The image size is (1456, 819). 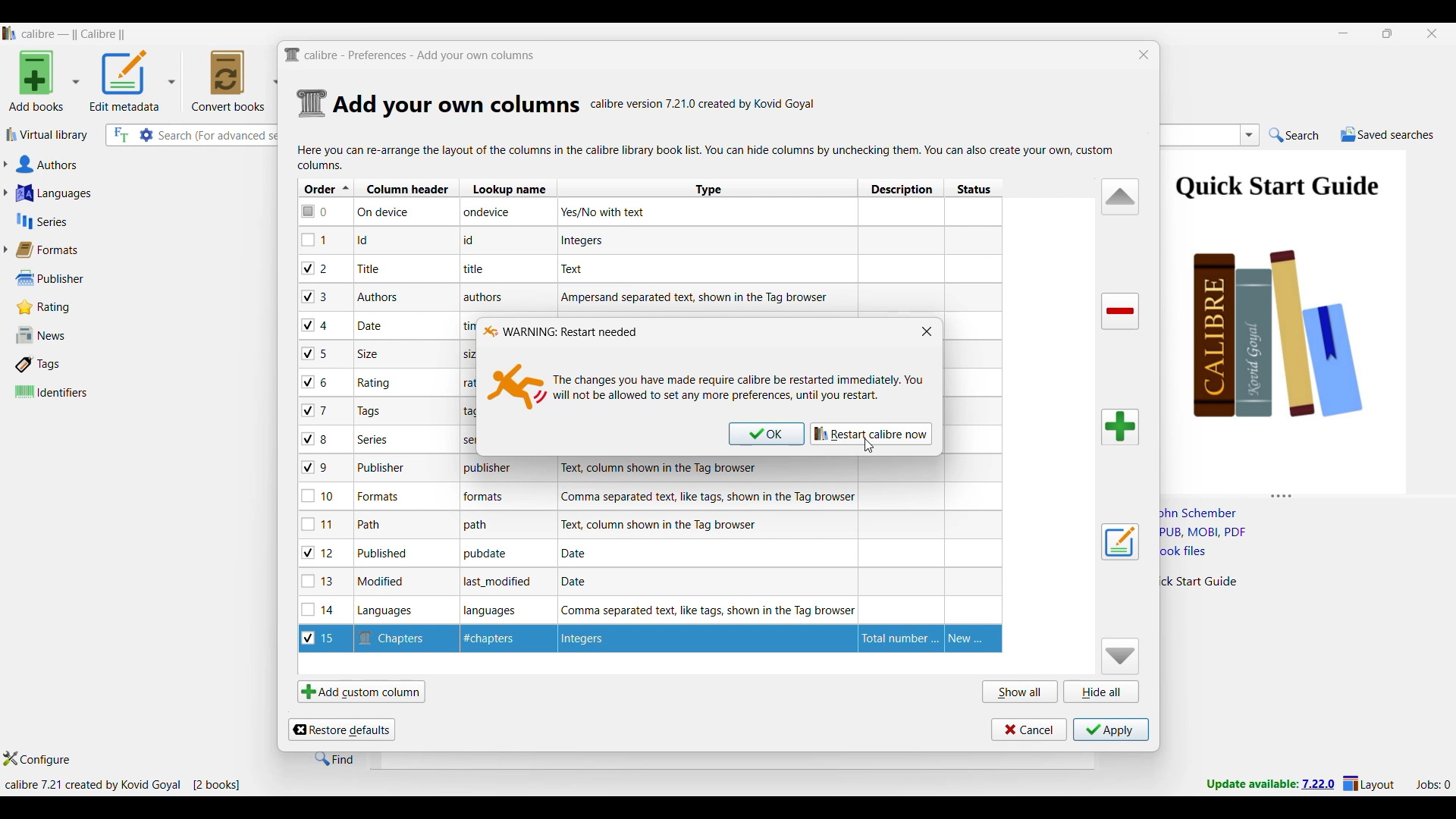 What do you see at coordinates (48, 134) in the screenshot?
I see `Virtual library` at bounding box center [48, 134].